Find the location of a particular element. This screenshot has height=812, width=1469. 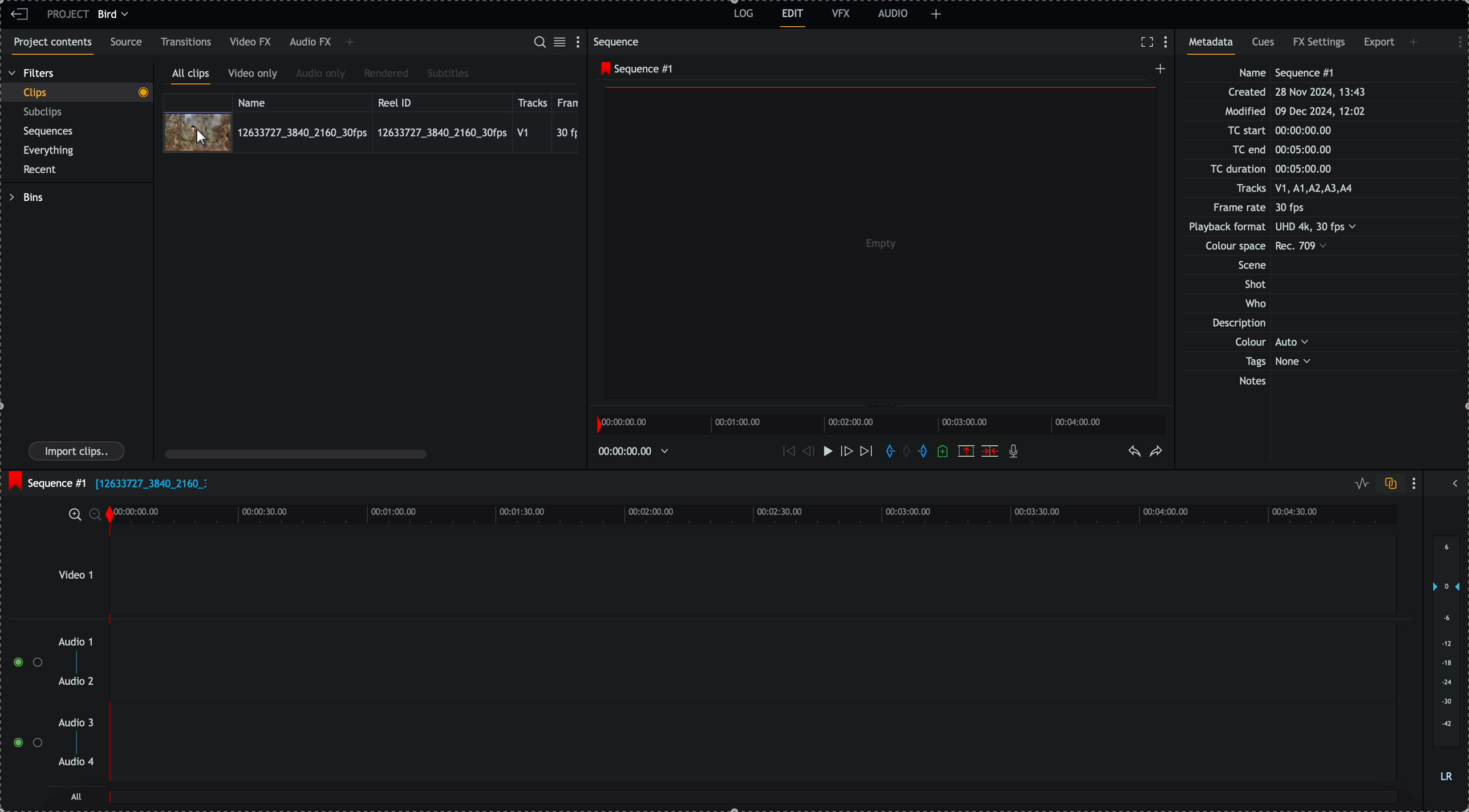

zoom ouy is located at coordinates (96, 514).